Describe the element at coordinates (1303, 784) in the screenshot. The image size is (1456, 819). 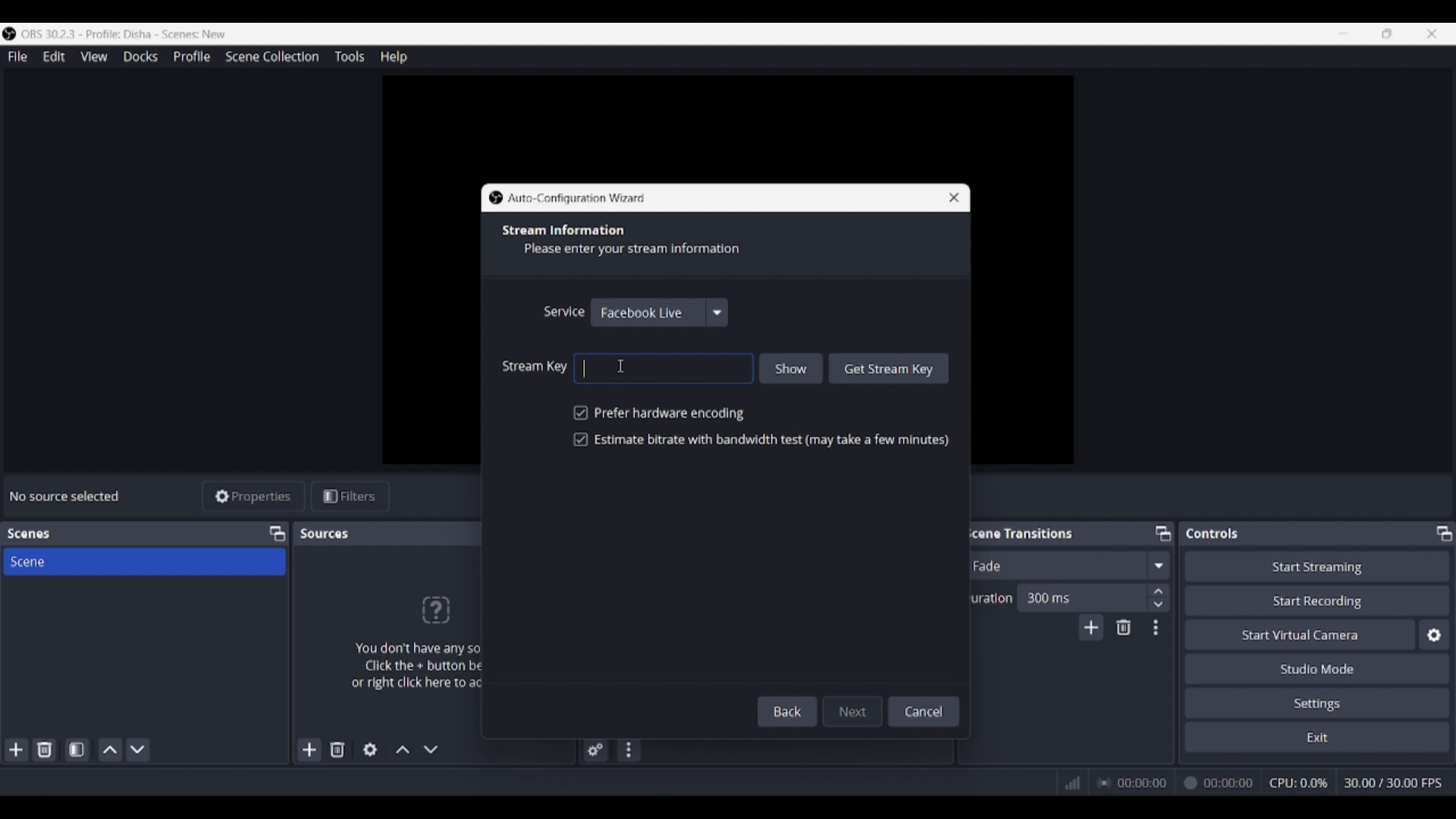
I see `CPU: 0.0%` at that location.